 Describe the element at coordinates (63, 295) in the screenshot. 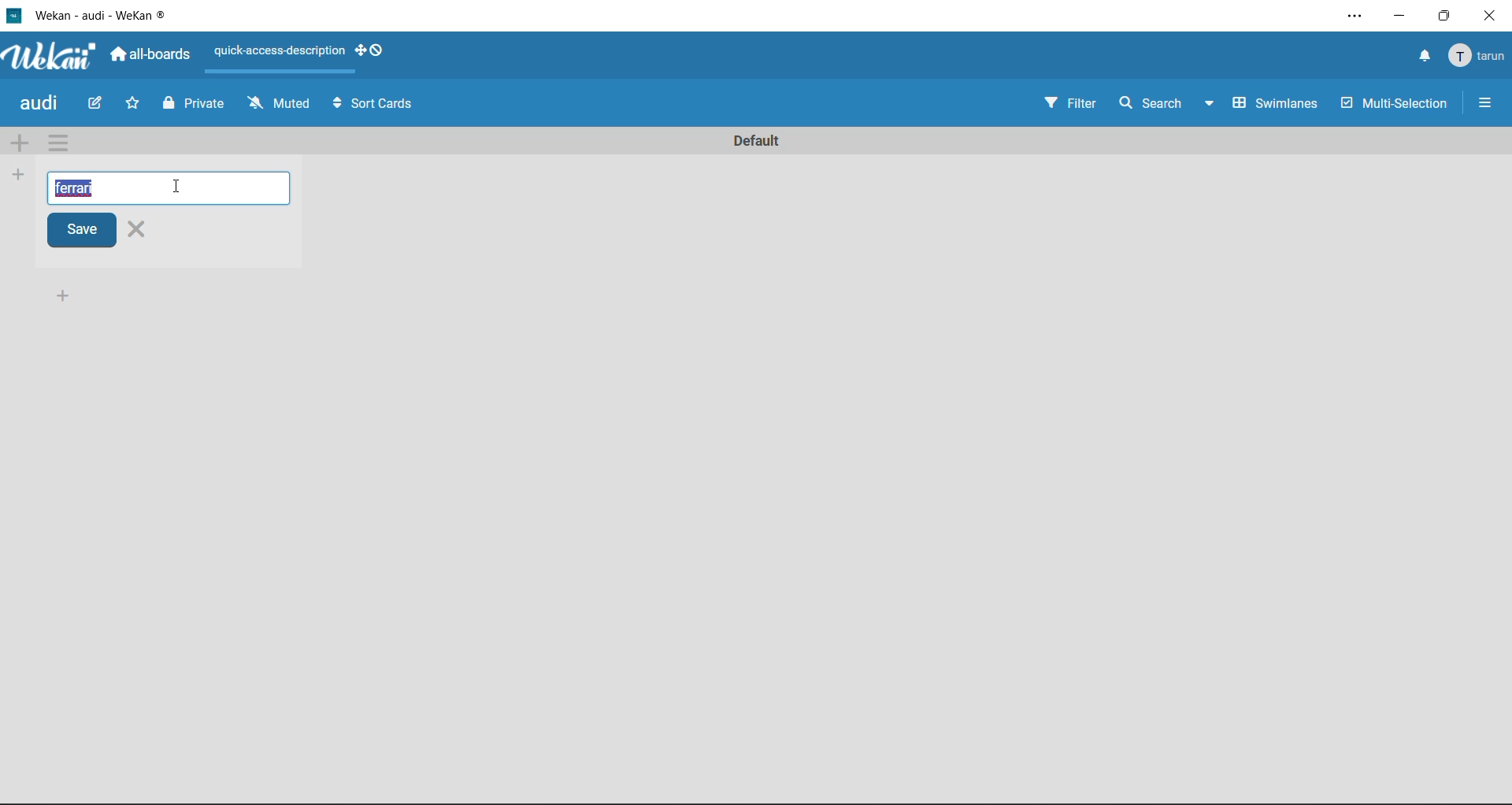

I see `` at that location.